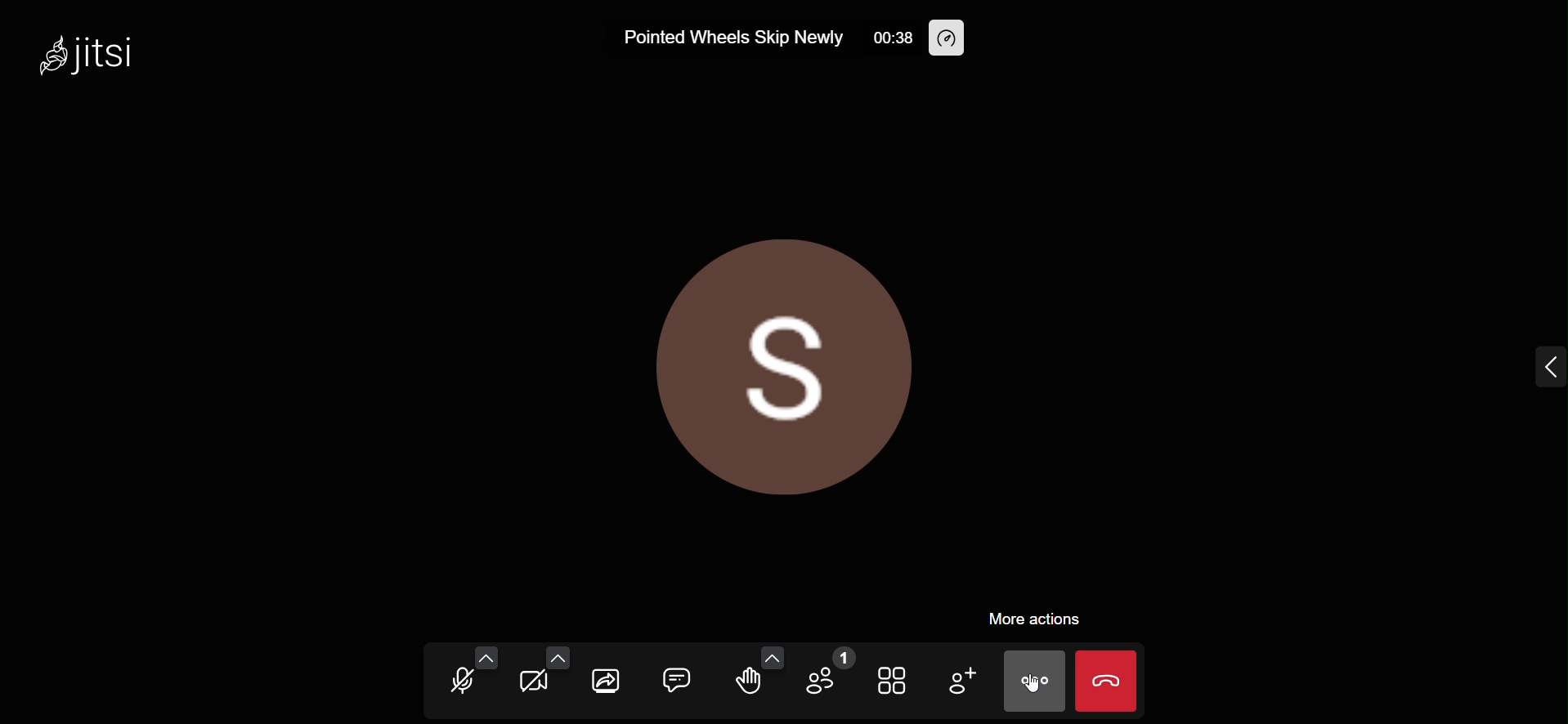  Describe the element at coordinates (893, 37) in the screenshot. I see `00:38` at that location.